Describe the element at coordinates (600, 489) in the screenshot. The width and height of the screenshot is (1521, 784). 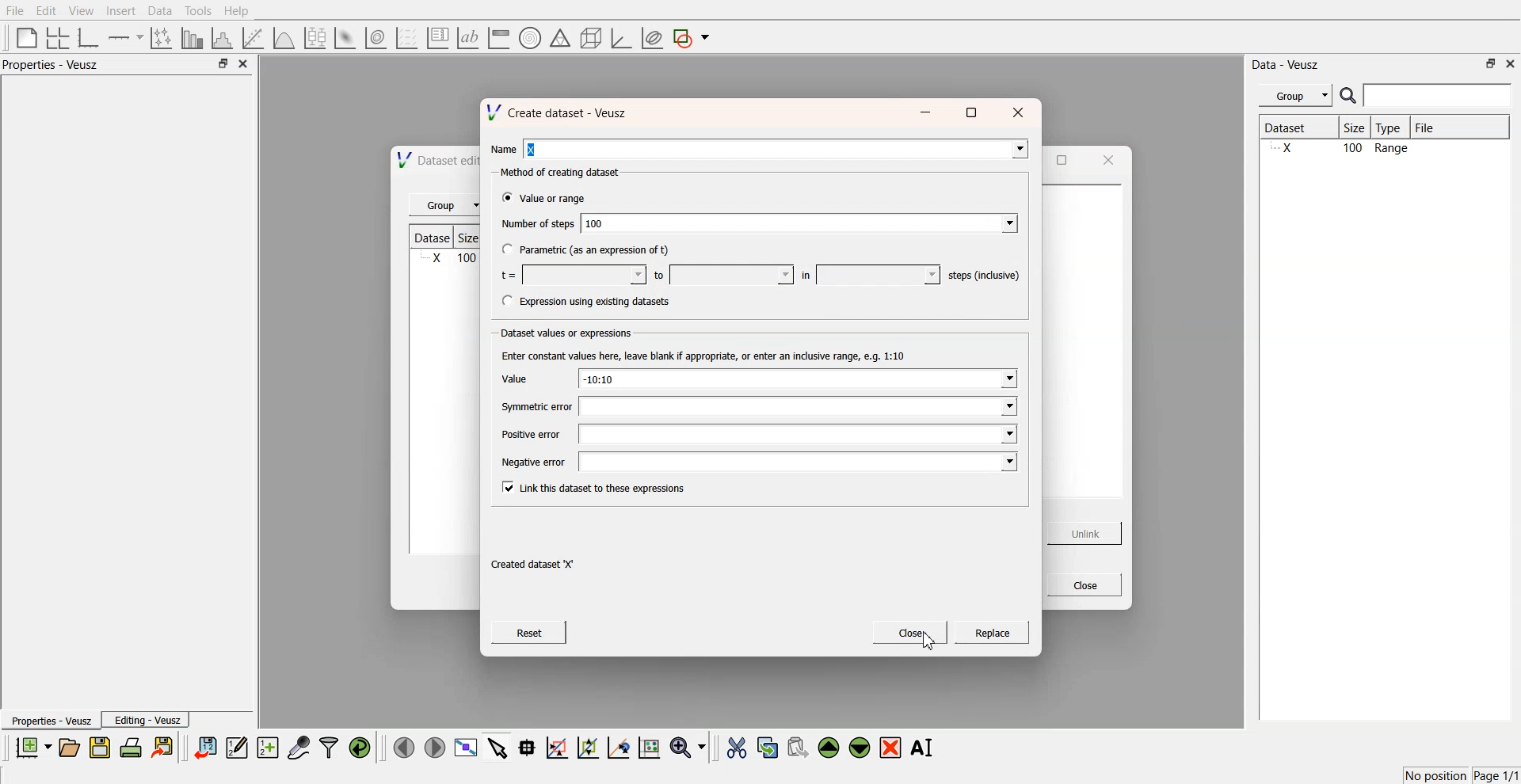
I see `Link this dataset to these expressions` at that location.